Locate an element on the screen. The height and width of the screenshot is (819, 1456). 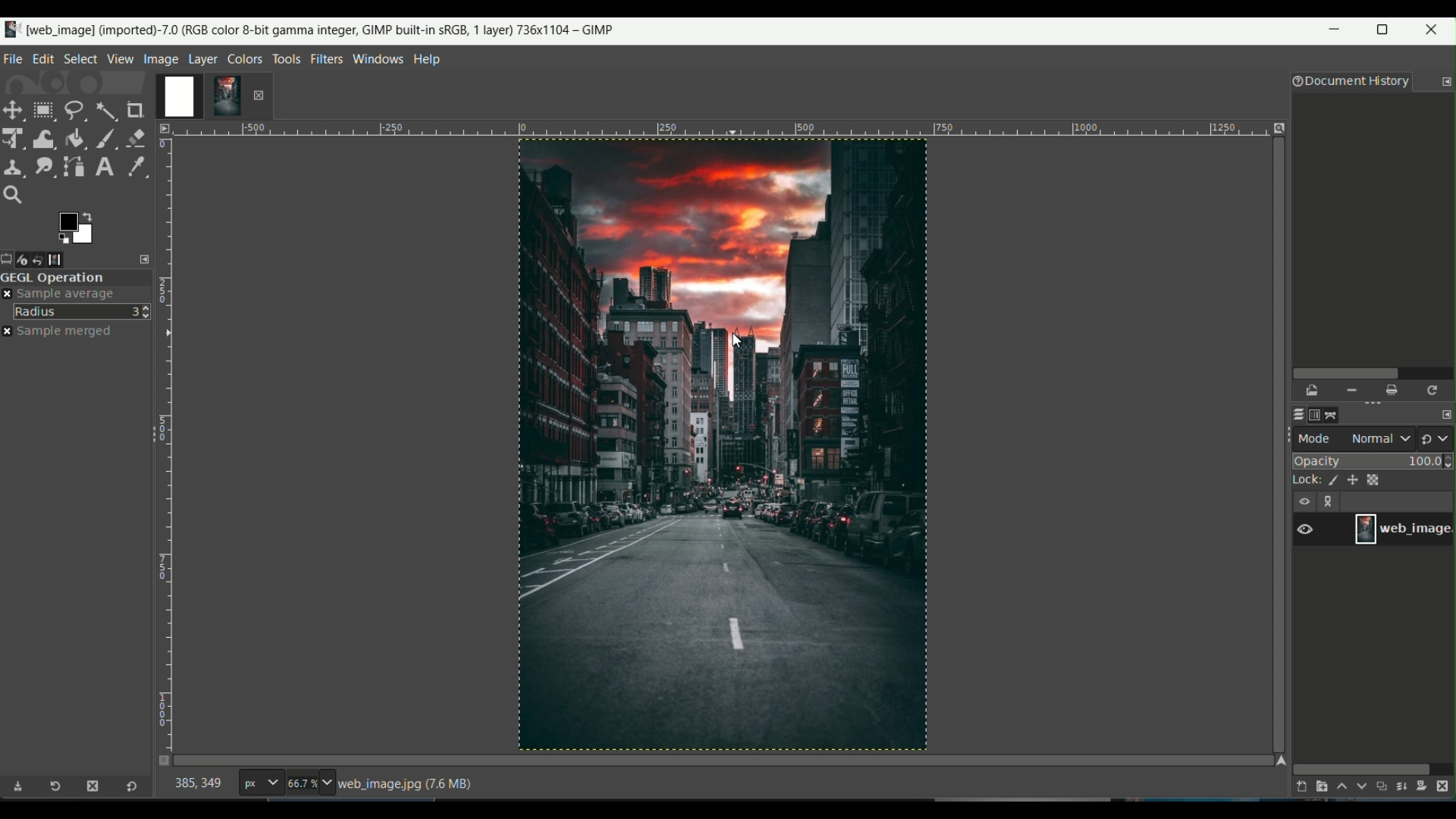
scroll bar is located at coordinates (1362, 767).